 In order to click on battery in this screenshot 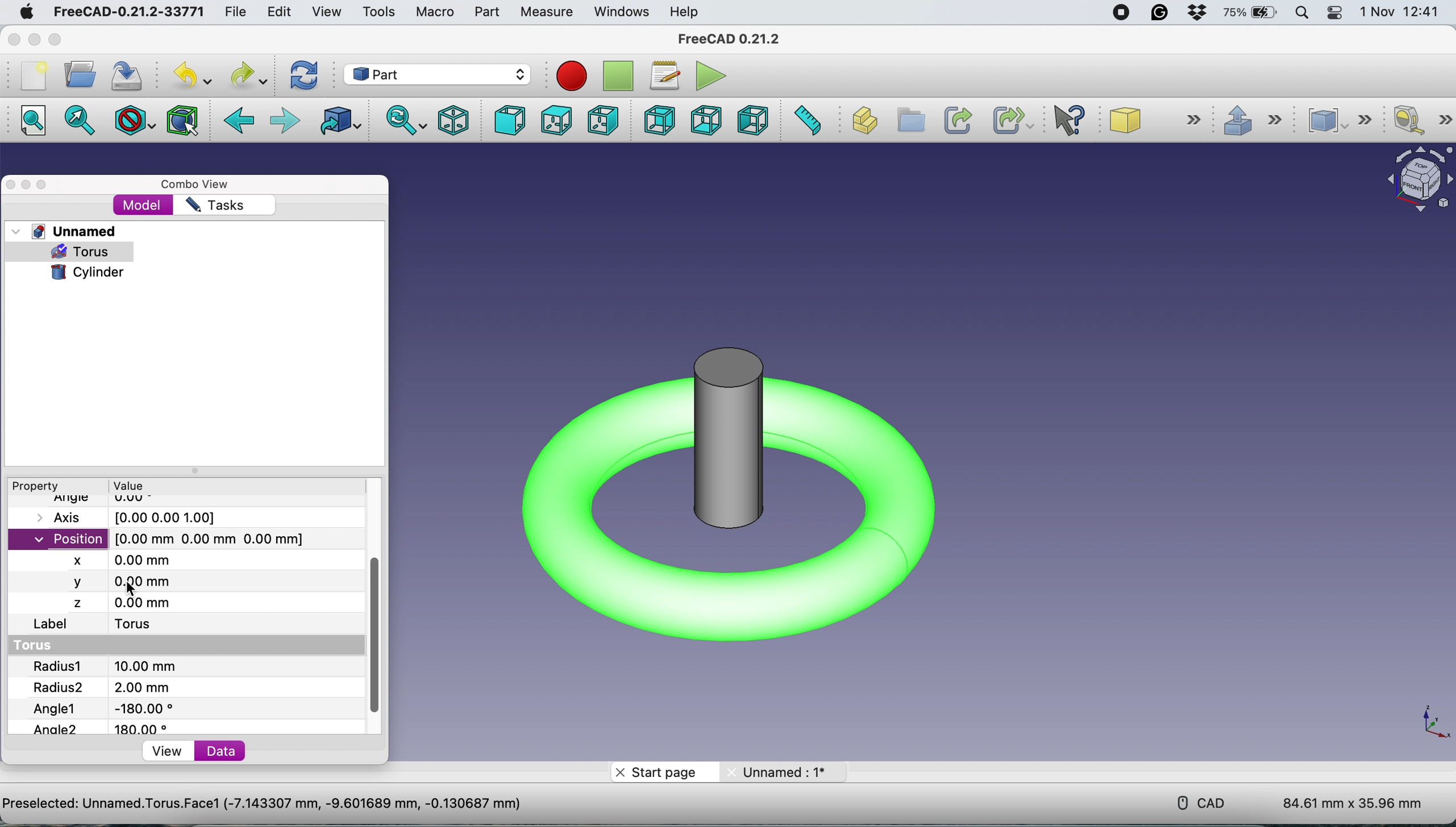, I will do `click(1251, 12)`.